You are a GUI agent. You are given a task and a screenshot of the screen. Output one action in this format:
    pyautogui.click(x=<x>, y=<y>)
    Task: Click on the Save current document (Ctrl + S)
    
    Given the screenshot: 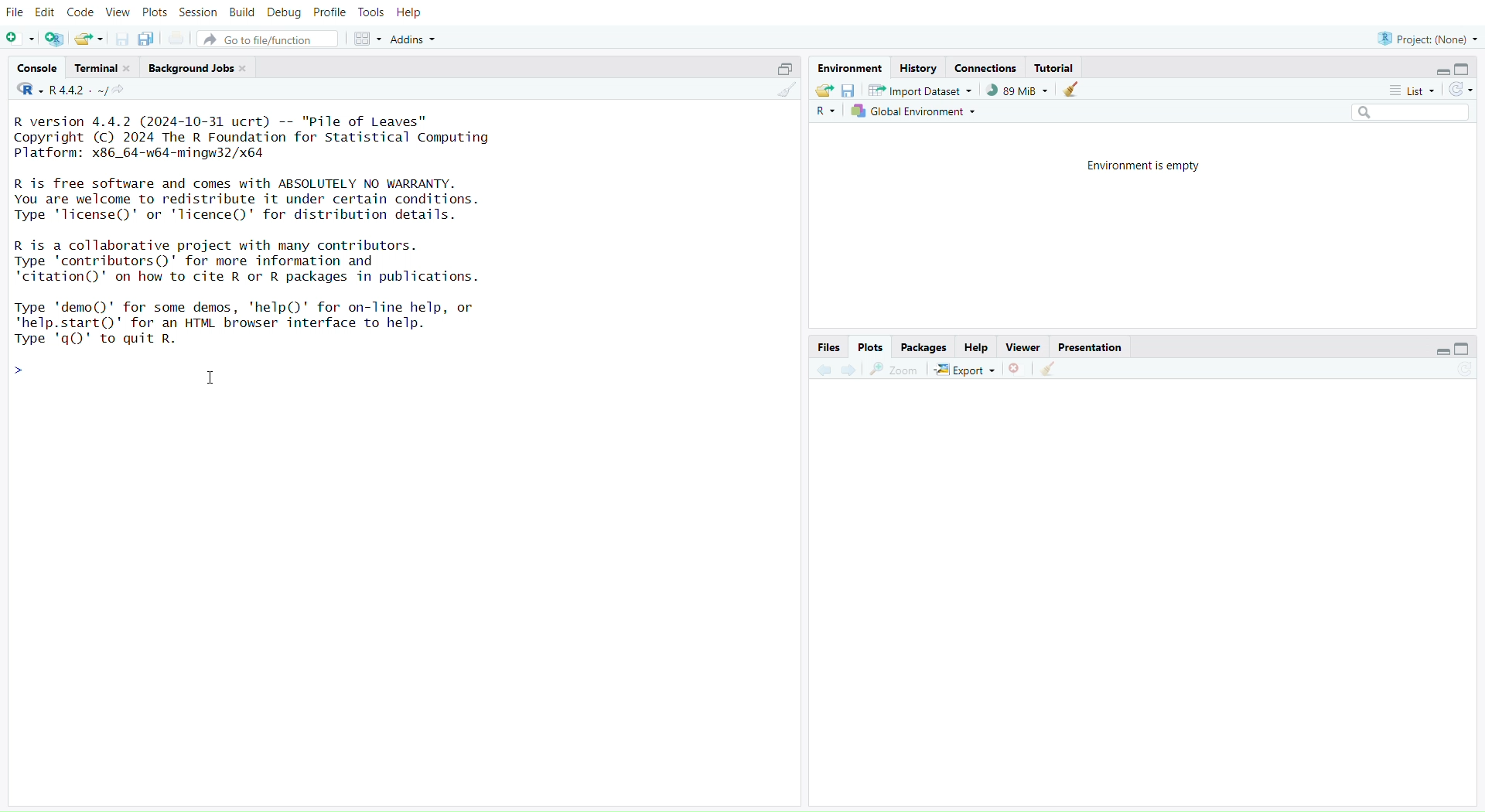 What is the action you would take?
    pyautogui.click(x=119, y=39)
    